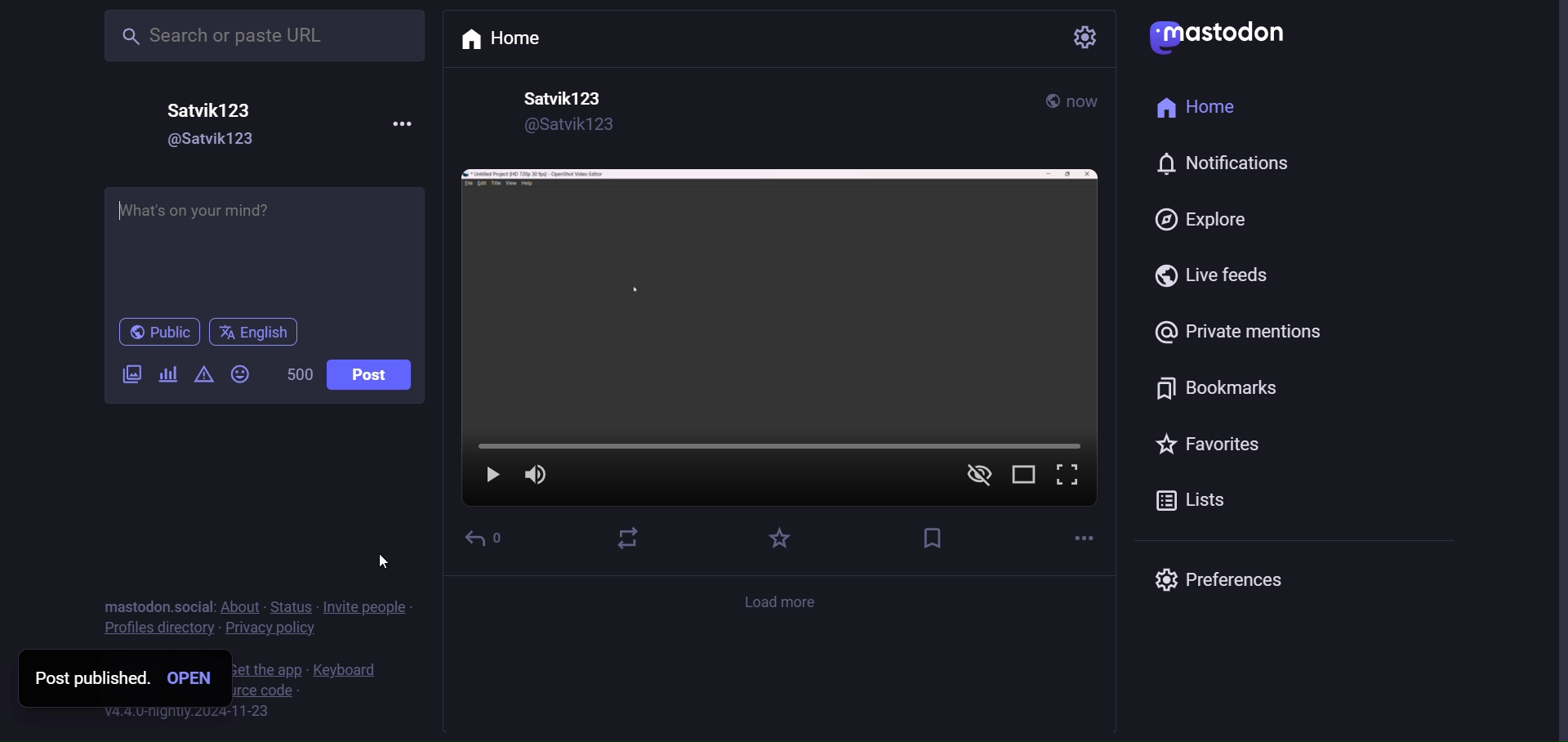 This screenshot has width=1568, height=742. Describe the element at coordinates (186, 713) in the screenshot. I see `version` at that location.